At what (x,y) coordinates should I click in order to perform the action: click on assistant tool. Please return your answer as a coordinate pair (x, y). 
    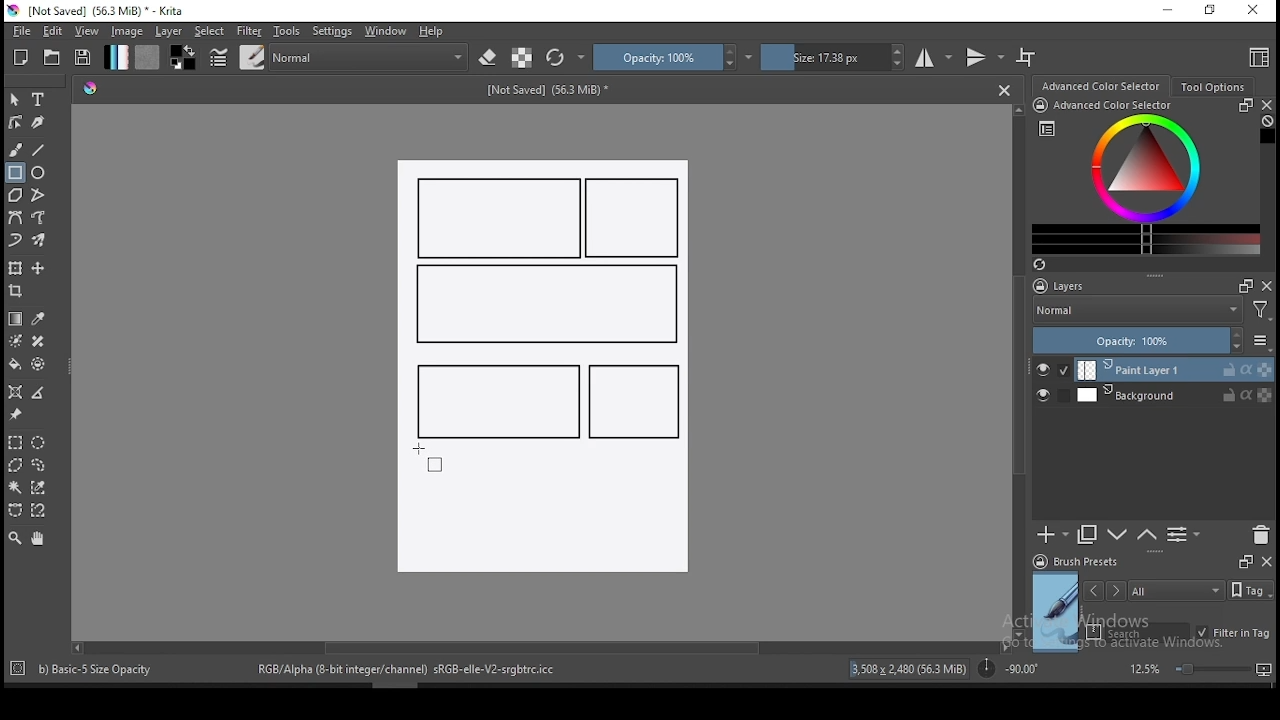
    Looking at the image, I should click on (15, 392).